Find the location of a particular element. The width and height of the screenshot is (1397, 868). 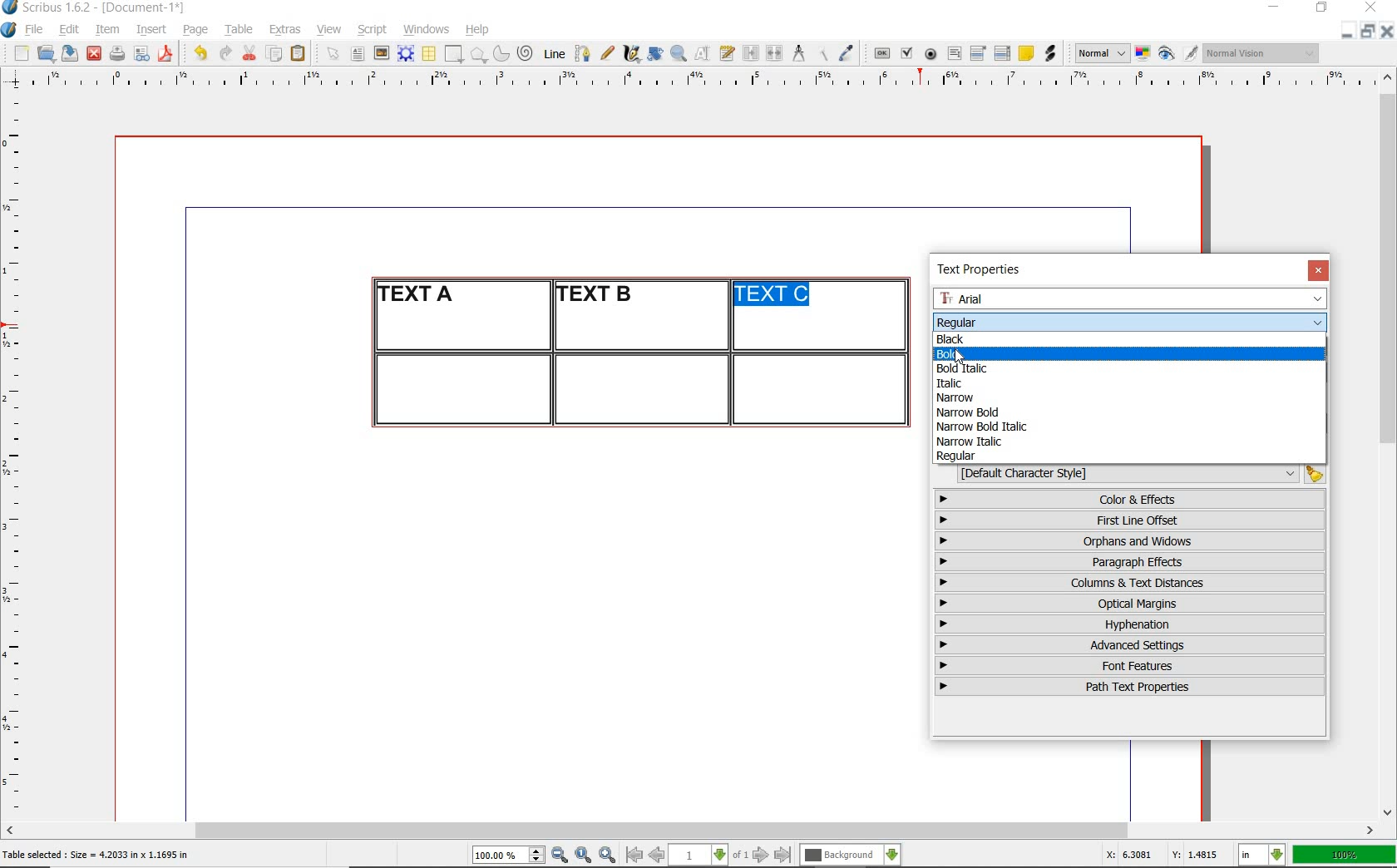

pdf radio button is located at coordinates (931, 56).